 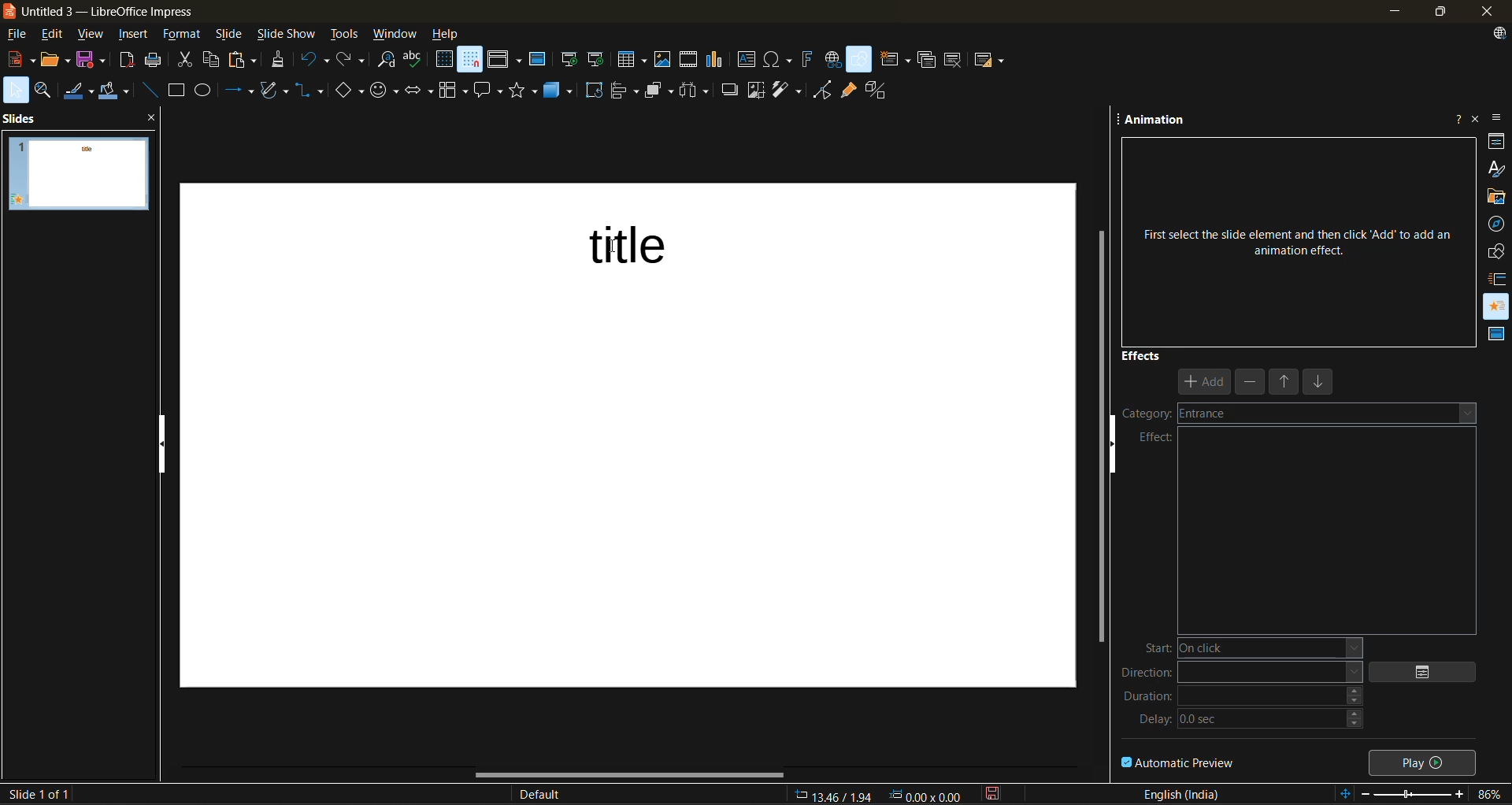 I want to click on cursor, so click(x=608, y=247).